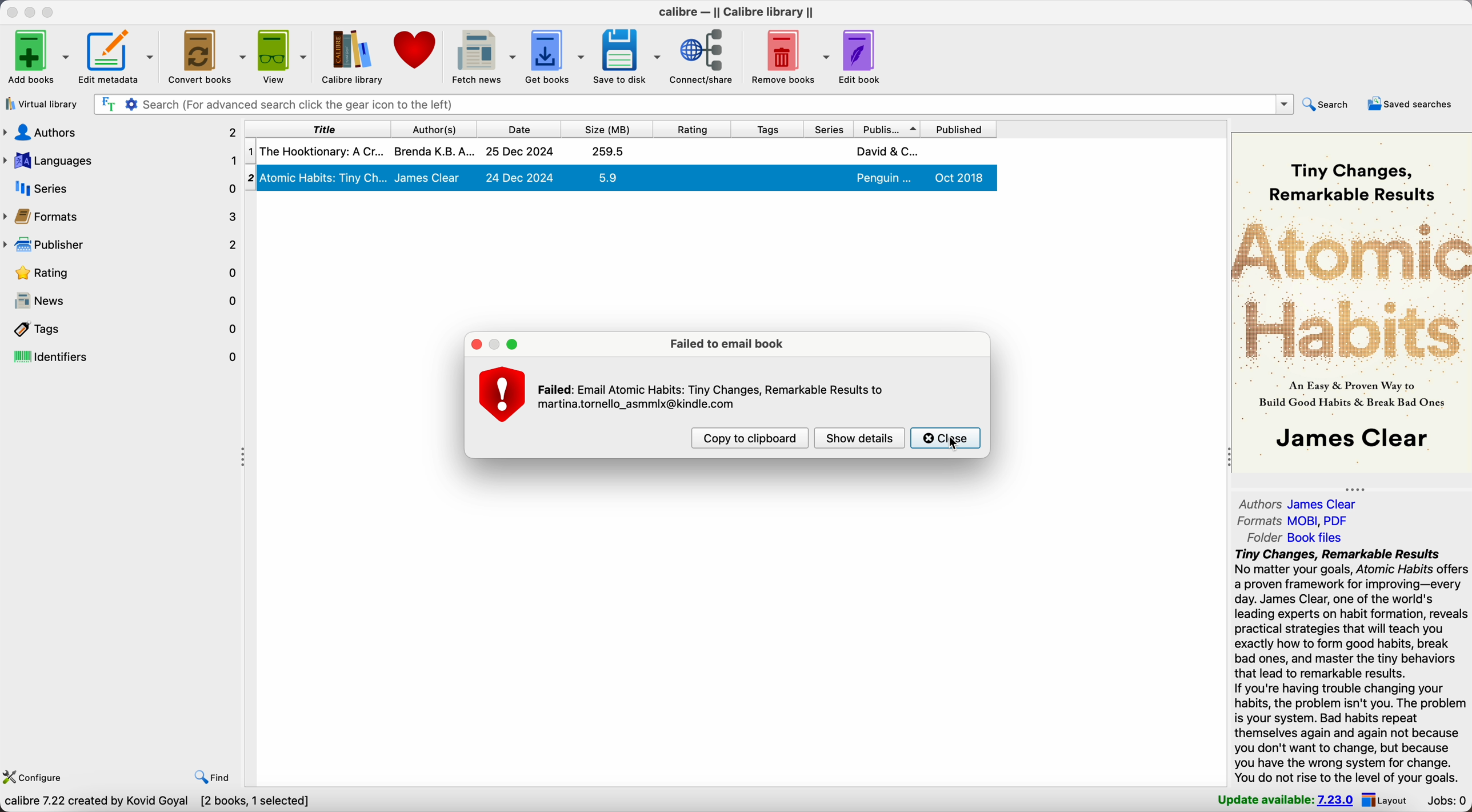 The width and height of the screenshot is (1472, 812). I want to click on formats, so click(122, 216).